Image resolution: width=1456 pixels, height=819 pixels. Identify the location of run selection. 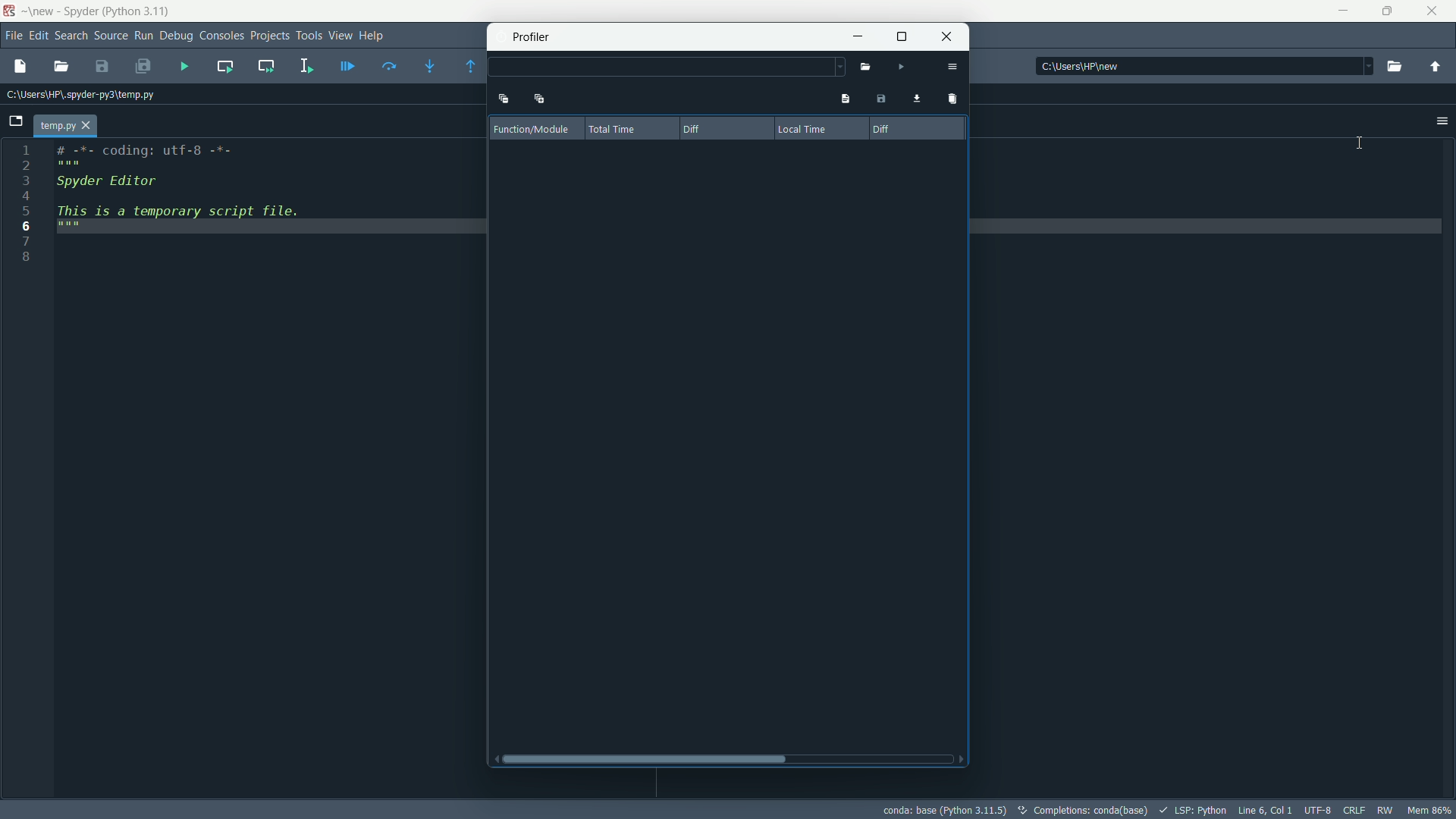
(306, 66).